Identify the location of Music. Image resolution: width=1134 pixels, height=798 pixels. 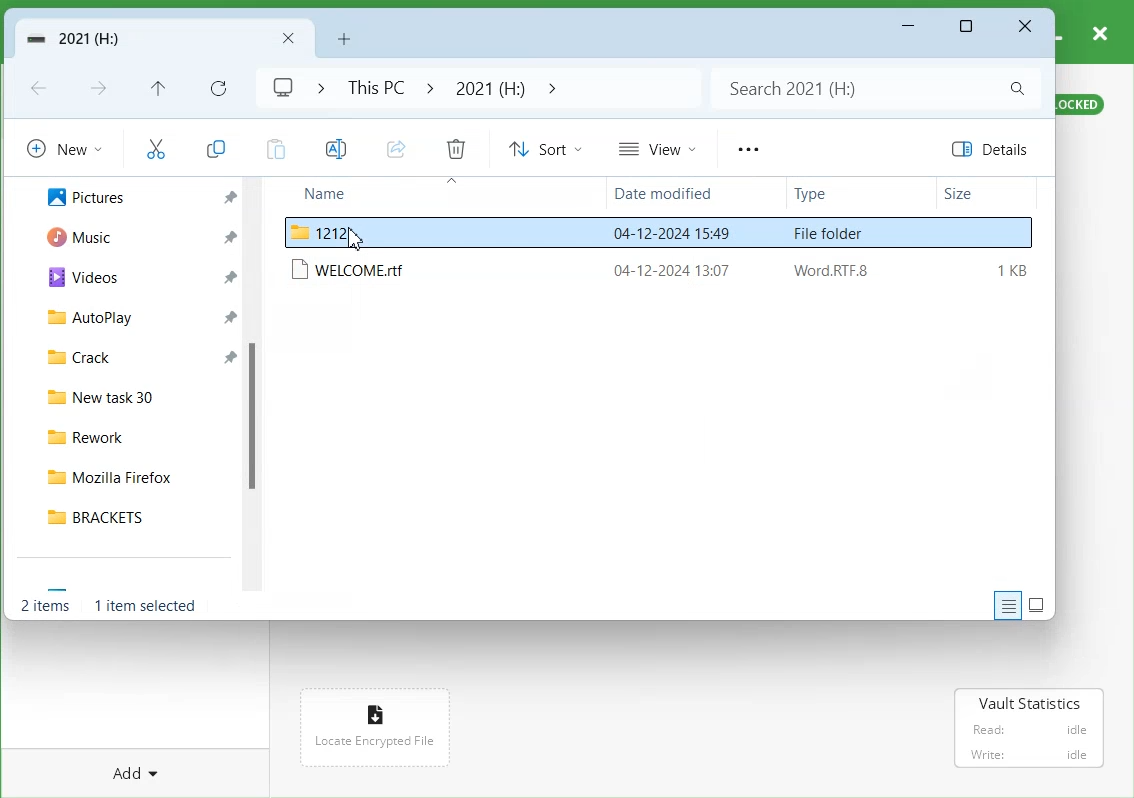
(75, 238).